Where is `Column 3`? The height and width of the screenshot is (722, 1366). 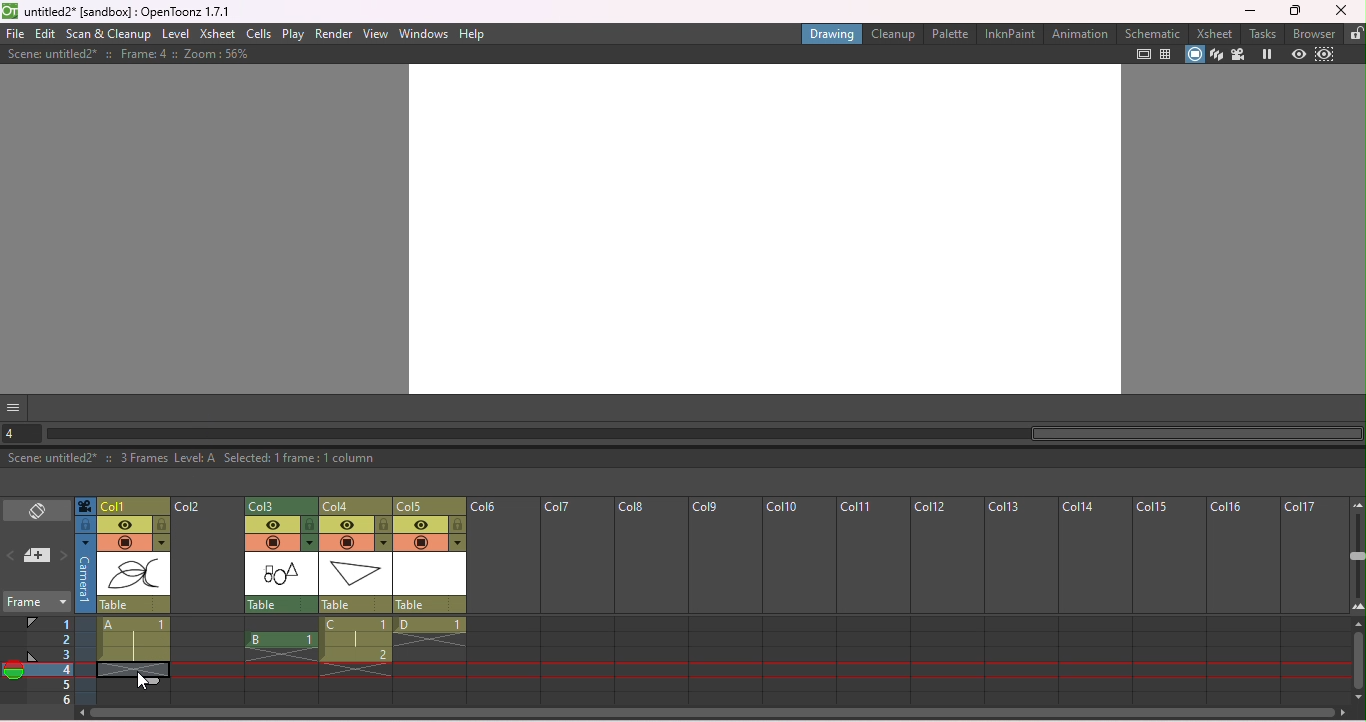
Column 3 is located at coordinates (280, 505).